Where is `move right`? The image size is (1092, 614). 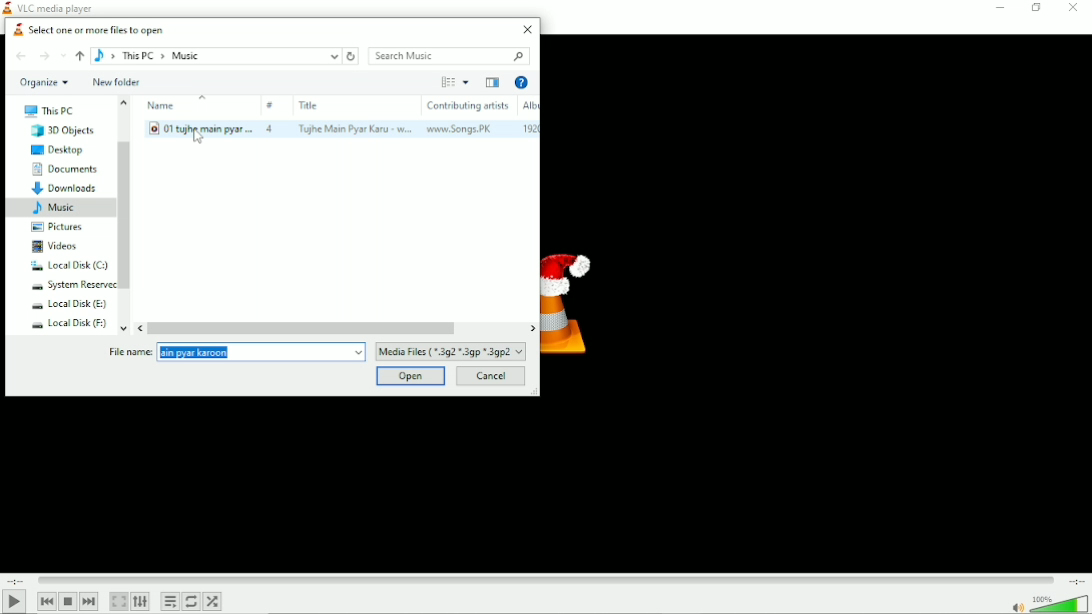
move right is located at coordinates (531, 326).